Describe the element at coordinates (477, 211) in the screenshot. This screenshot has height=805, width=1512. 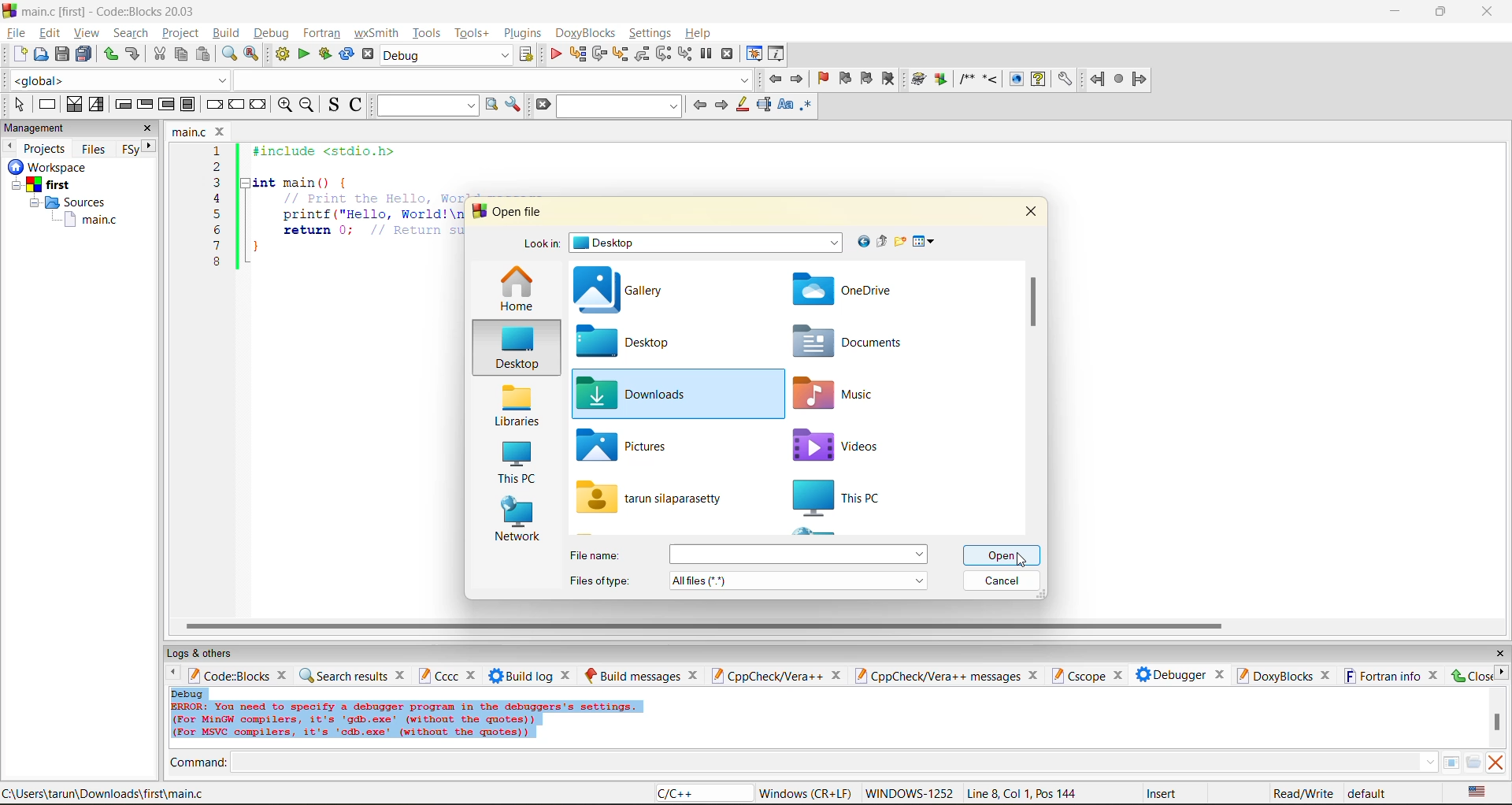
I see `logo` at that location.